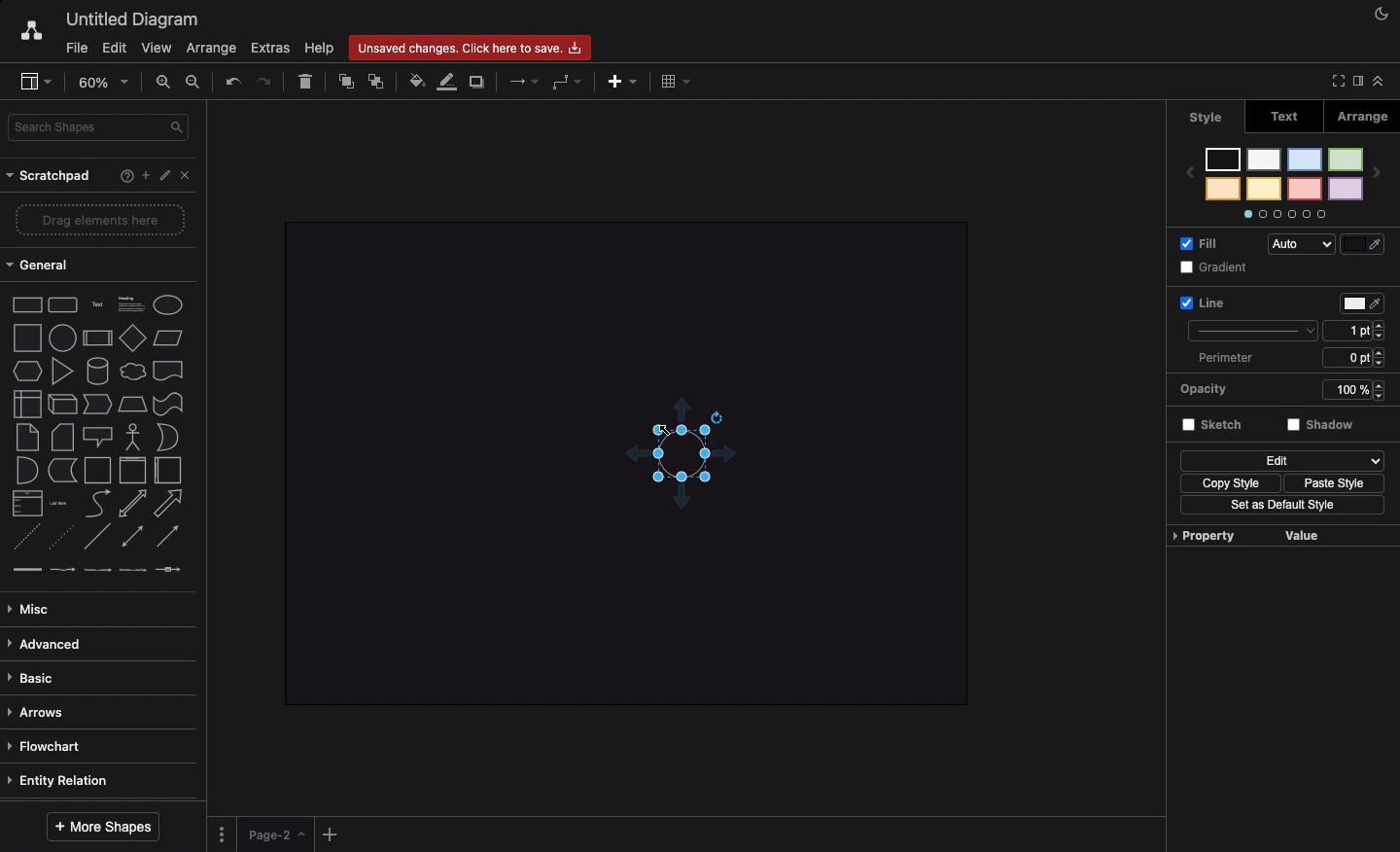 This screenshot has width=1400, height=852. What do you see at coordinates (1282, 458) in the screenshot?
I see `Edit` at bounding box center [1282, 458].